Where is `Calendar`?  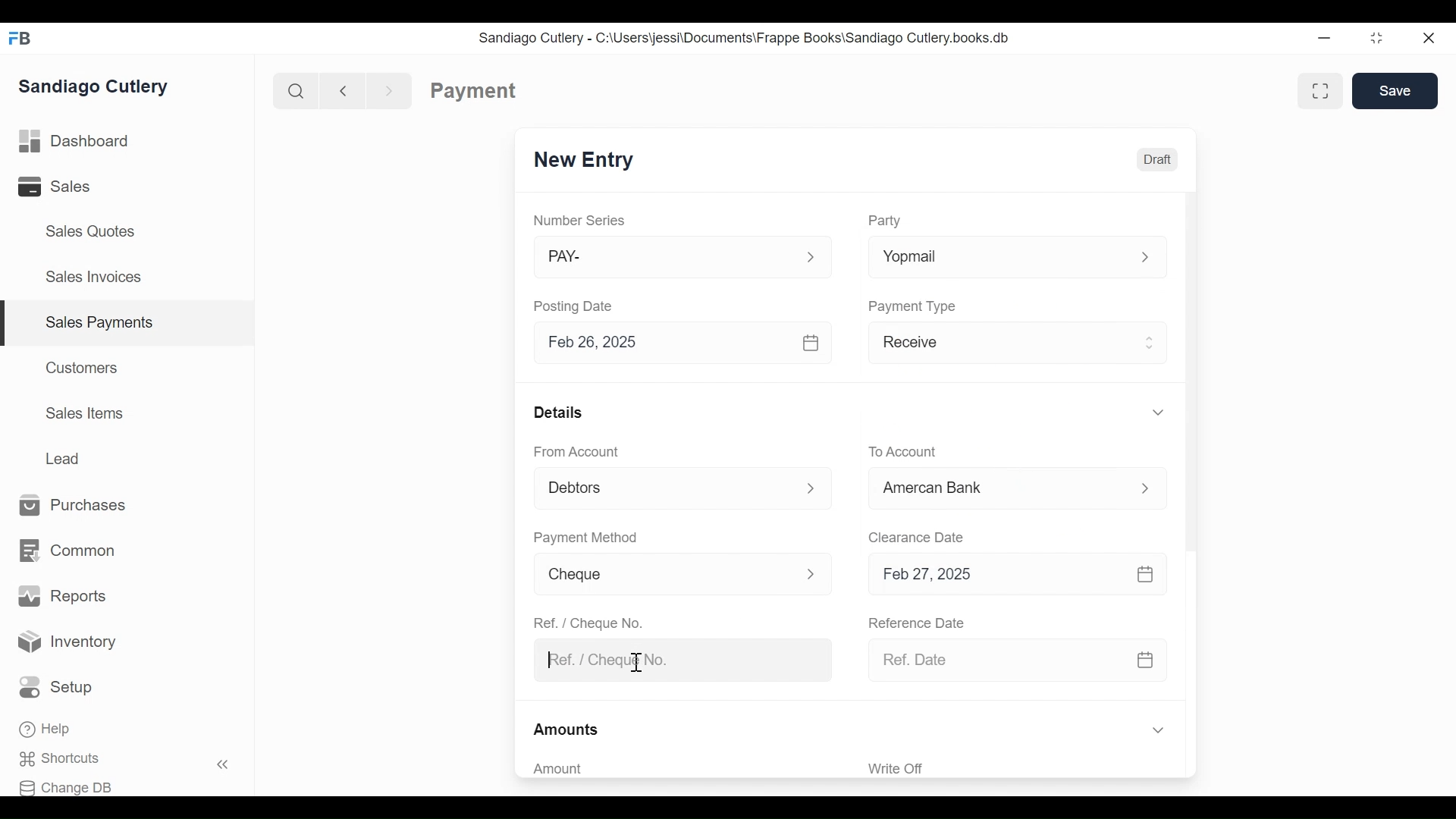
Calendar is located at coordinates (814, 344).